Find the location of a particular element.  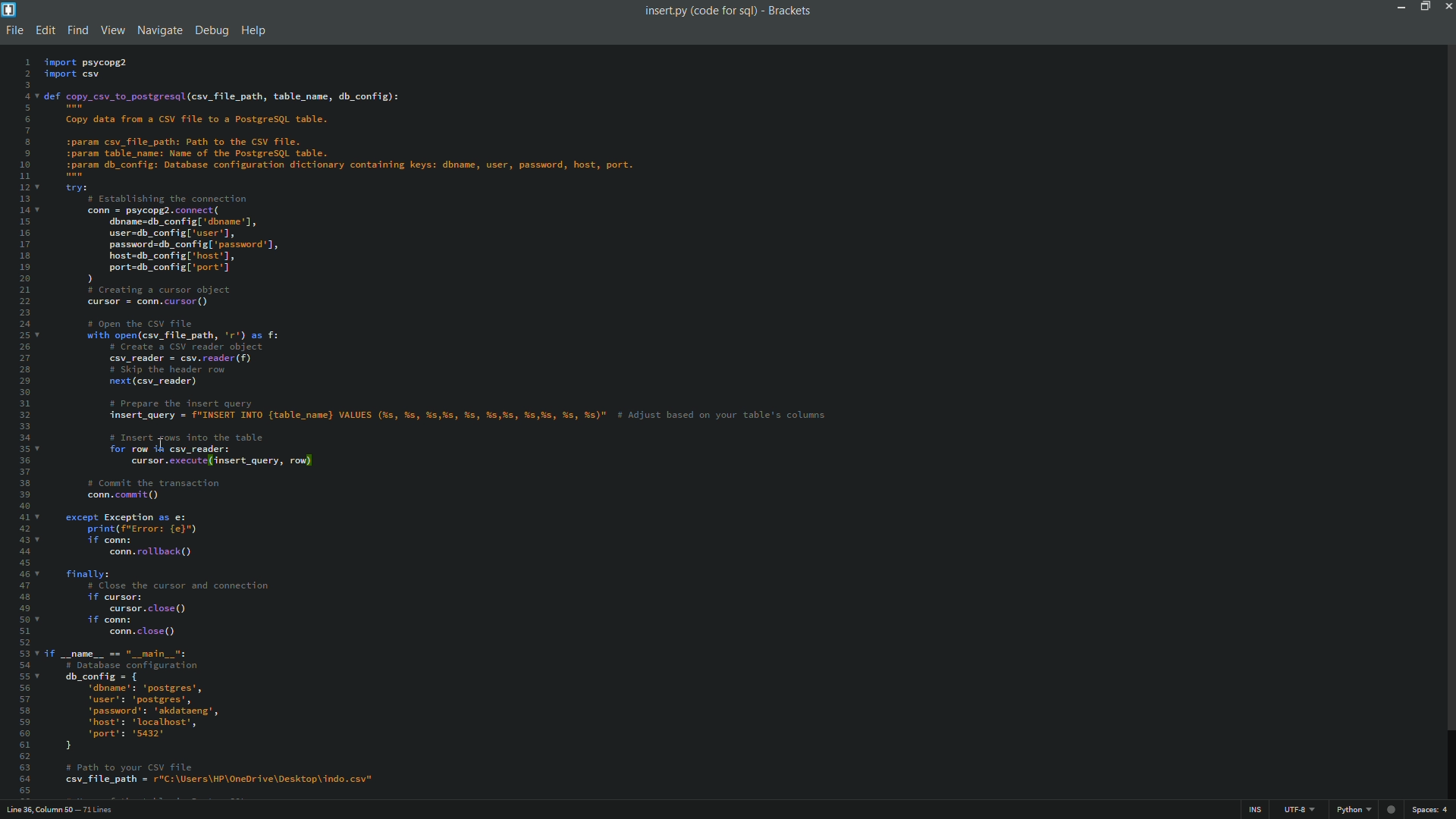

debug menu is located at coordinates (211, 30).